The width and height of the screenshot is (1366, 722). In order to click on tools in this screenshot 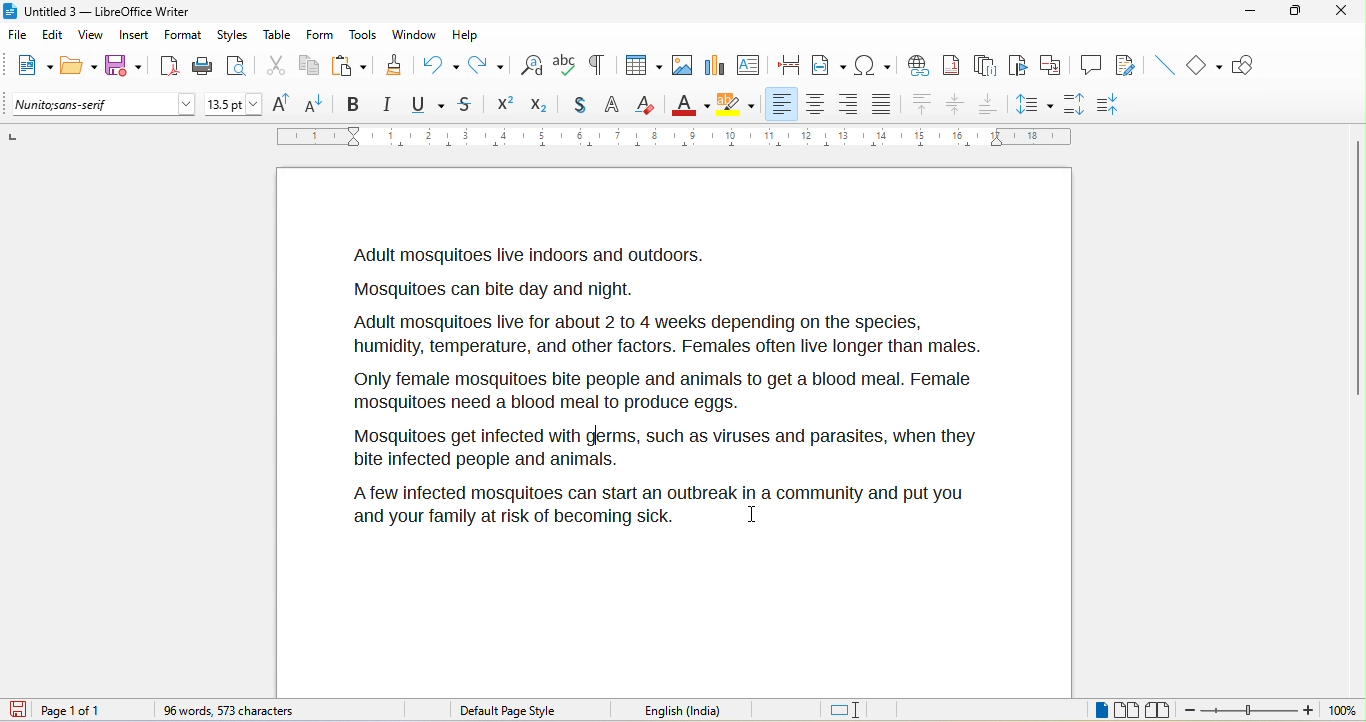, I will do `click(365, 36)`.